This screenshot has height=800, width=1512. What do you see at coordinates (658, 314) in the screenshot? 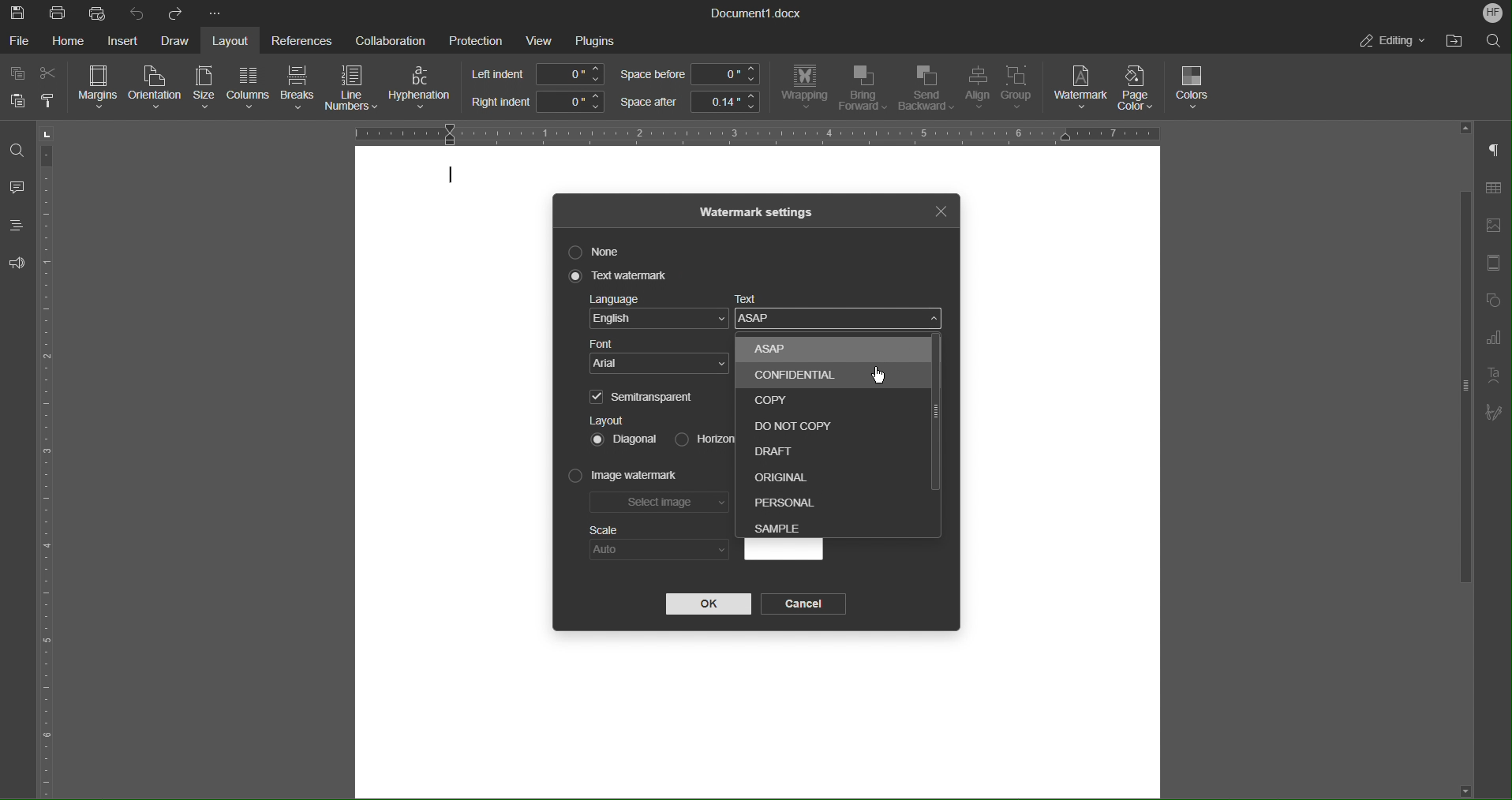
I see `Language` at bounding box center [658, 314].